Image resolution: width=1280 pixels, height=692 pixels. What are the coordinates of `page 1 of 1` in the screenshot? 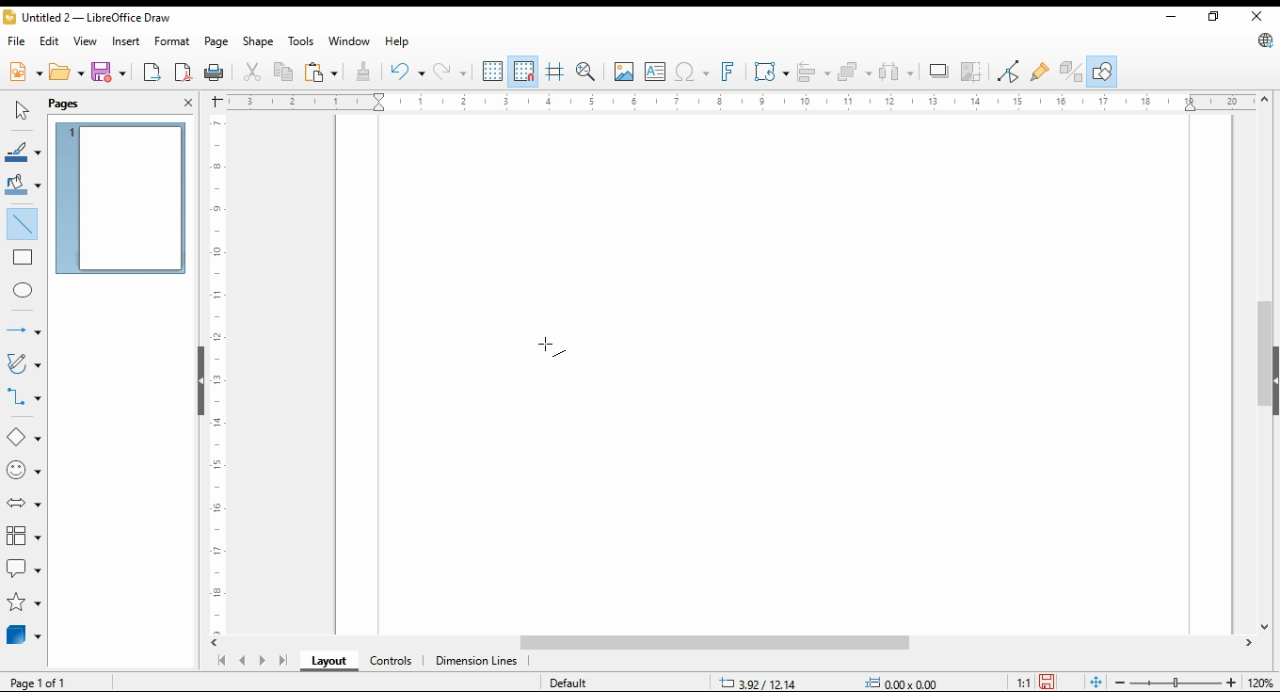 It's located at (40, 682).